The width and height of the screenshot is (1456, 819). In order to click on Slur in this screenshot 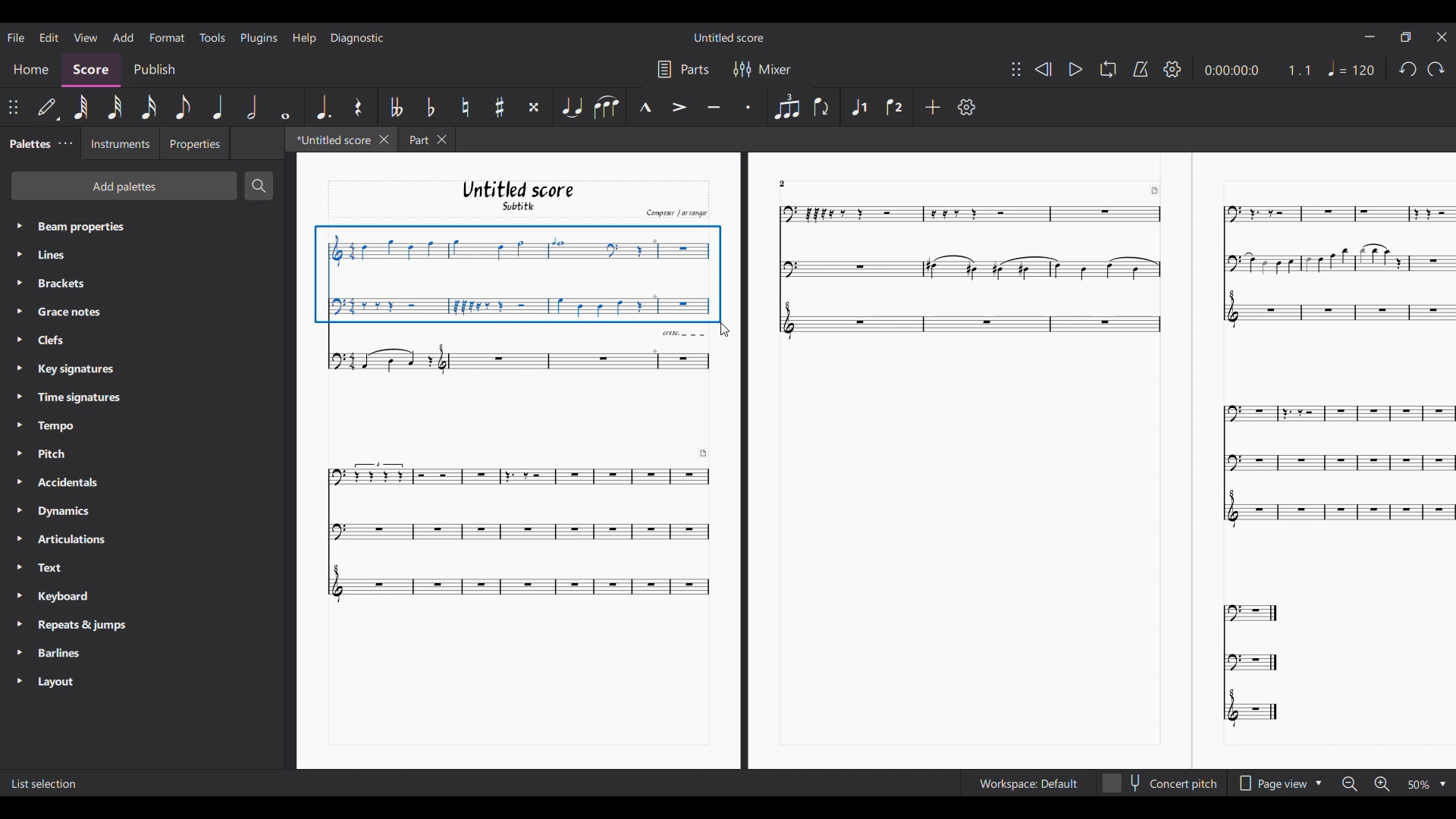, I will do `click(607, 107)`.